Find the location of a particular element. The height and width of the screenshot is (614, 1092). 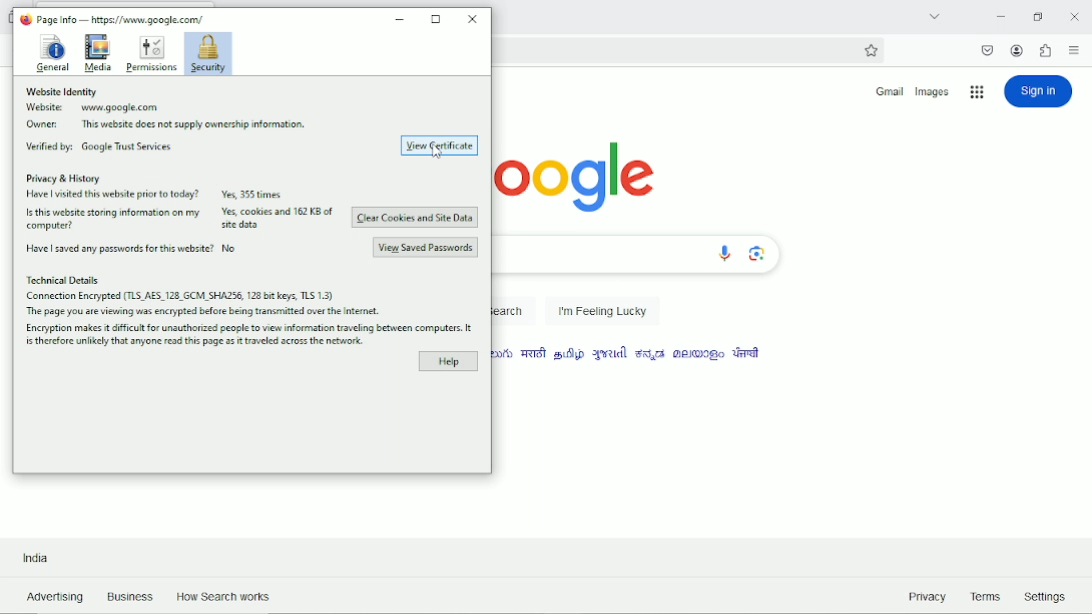

India is located at coordinates (35, 560).